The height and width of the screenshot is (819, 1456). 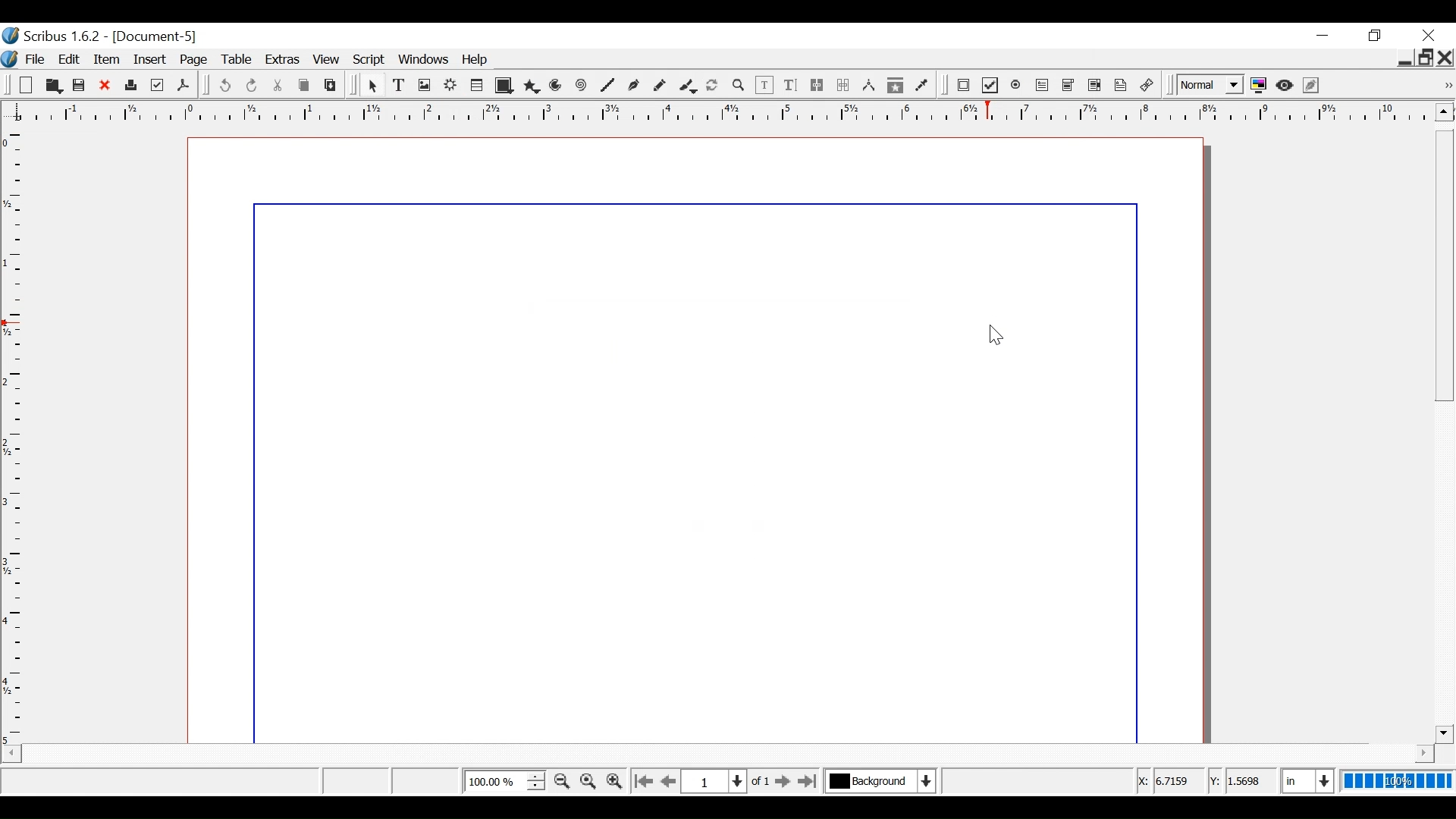 What do you see at coordinates (607, 86) in the screenshot?
I see `Line` at bounding box center [607, 86].